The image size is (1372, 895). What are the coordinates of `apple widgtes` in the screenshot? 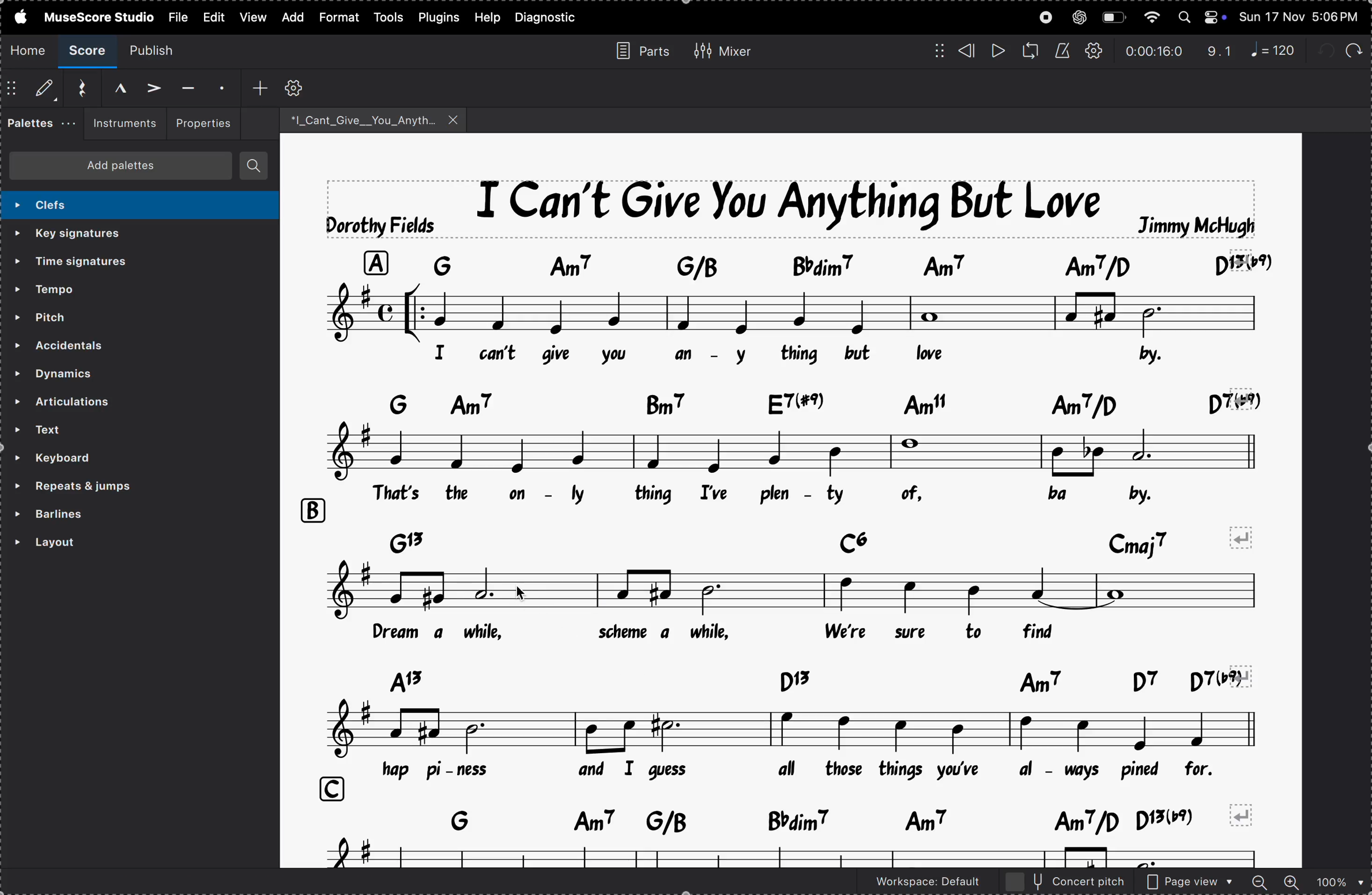 It's located at (1203, 17).